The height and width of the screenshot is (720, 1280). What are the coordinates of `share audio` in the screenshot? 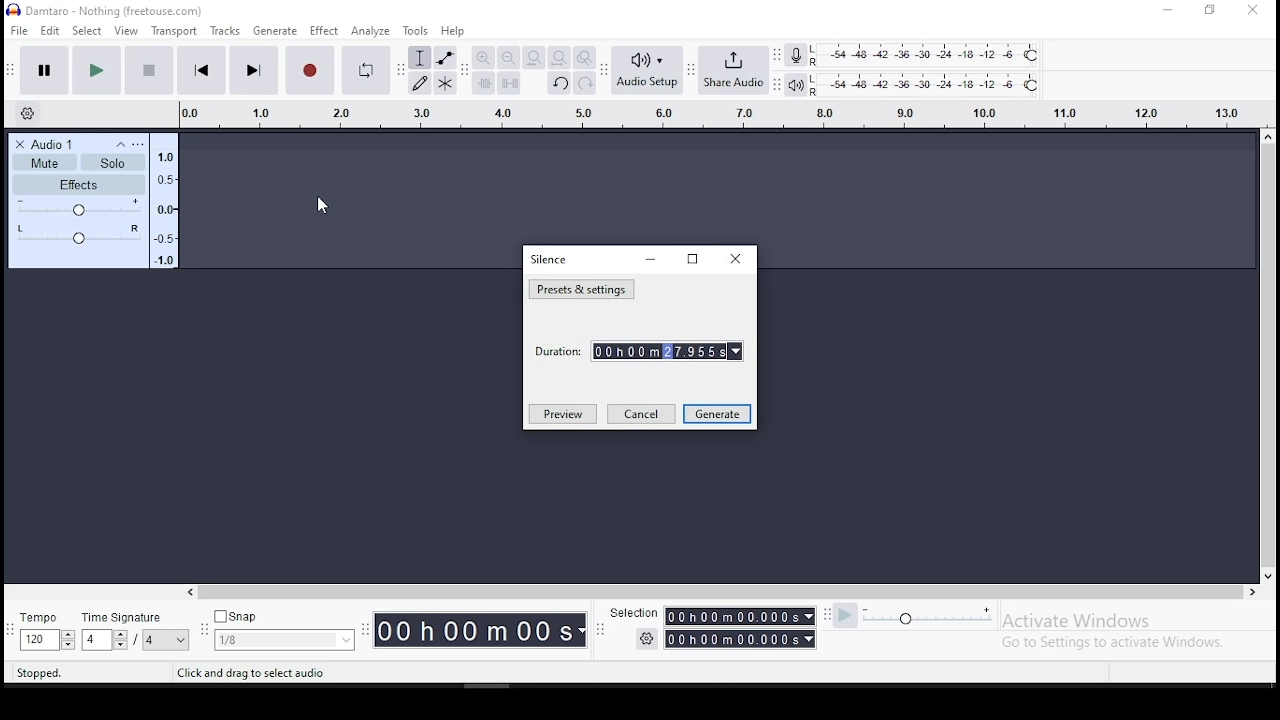 It's located at (734, 71).